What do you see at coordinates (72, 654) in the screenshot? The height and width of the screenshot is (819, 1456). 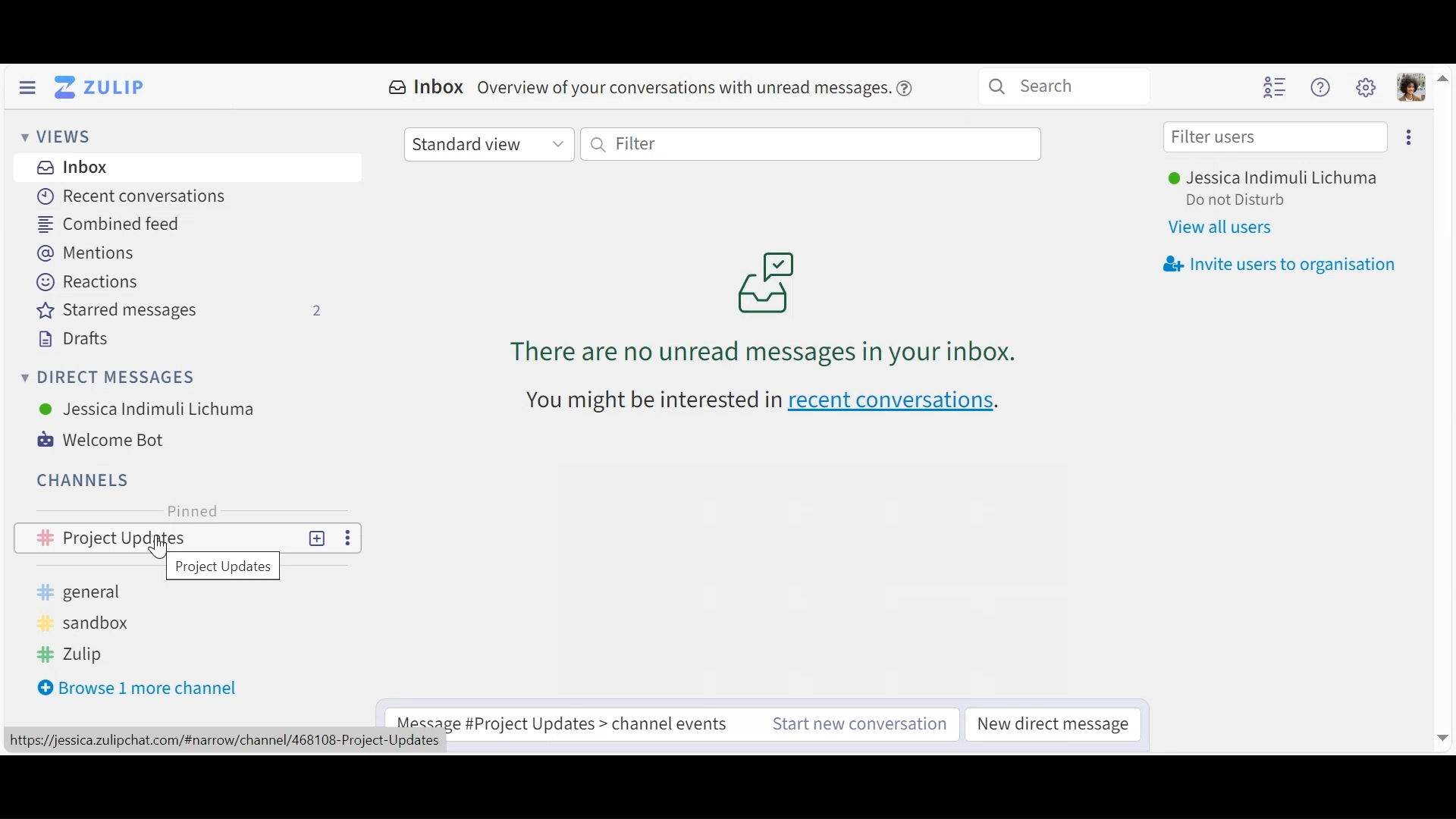 I see `zulip` at bounding box center [72, 654].